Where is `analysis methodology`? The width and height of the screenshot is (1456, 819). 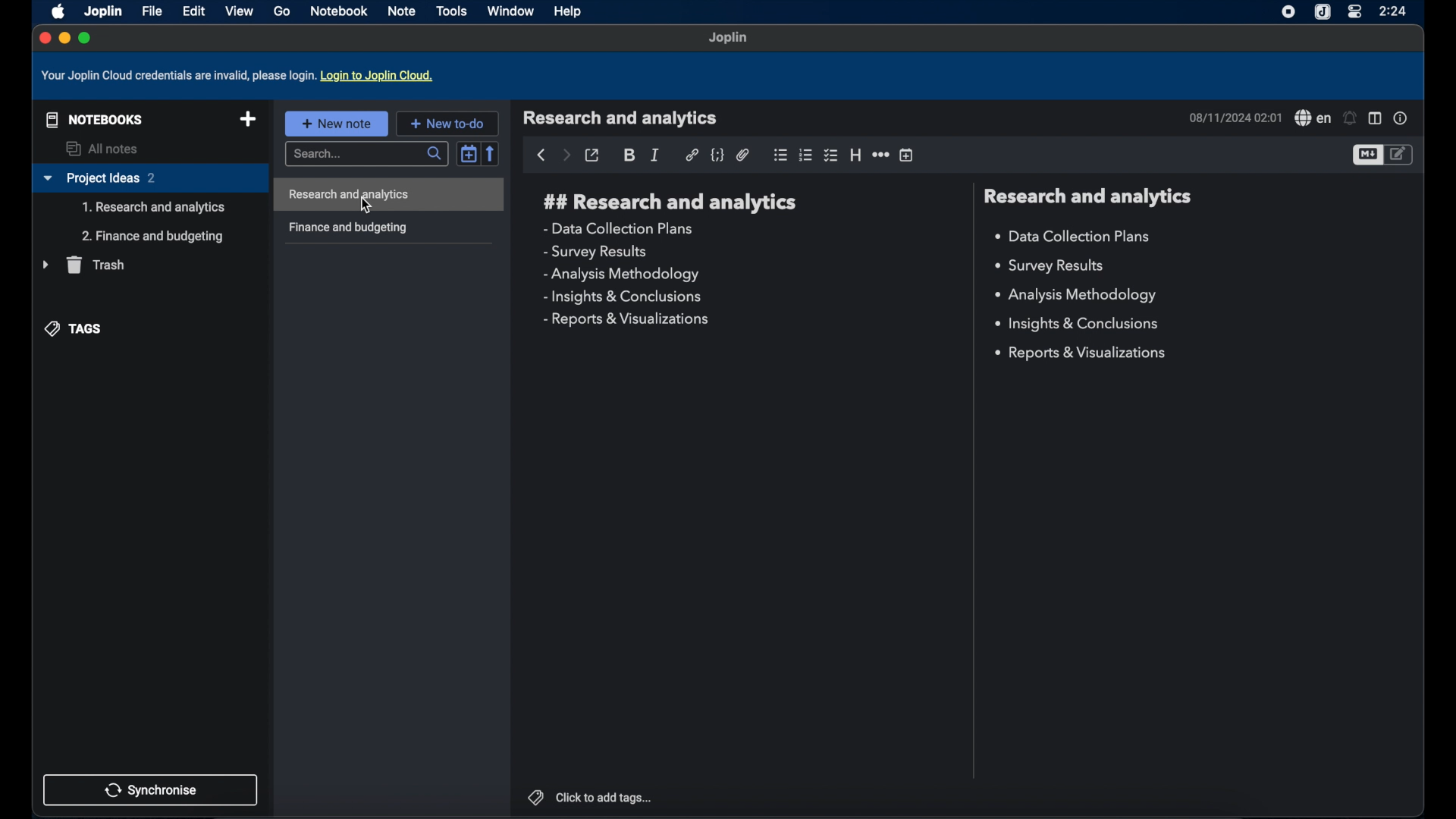
analysis methodology is located at coordinates (1075, 296).